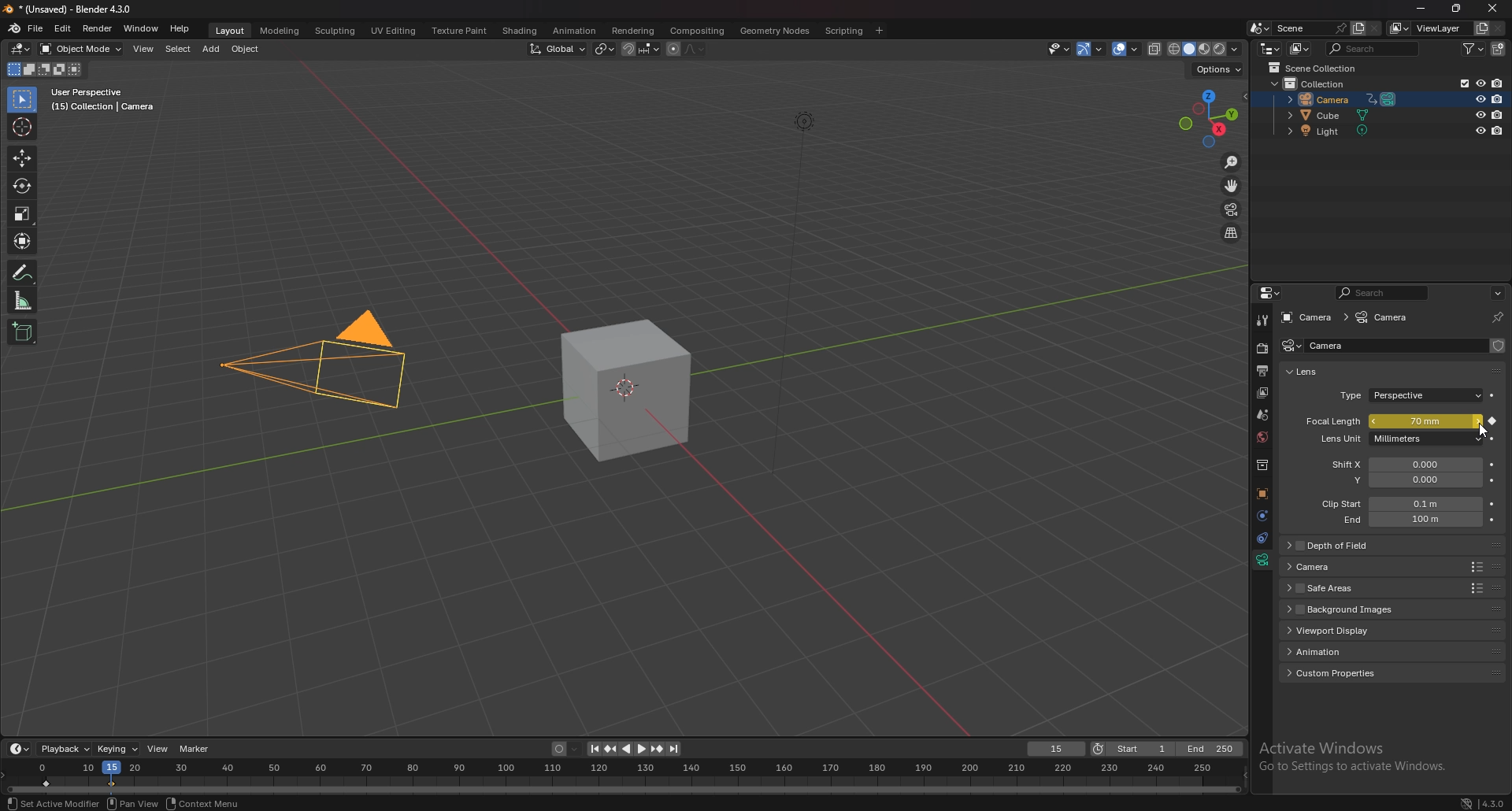  I want to click on filter, so click(1474, 50).